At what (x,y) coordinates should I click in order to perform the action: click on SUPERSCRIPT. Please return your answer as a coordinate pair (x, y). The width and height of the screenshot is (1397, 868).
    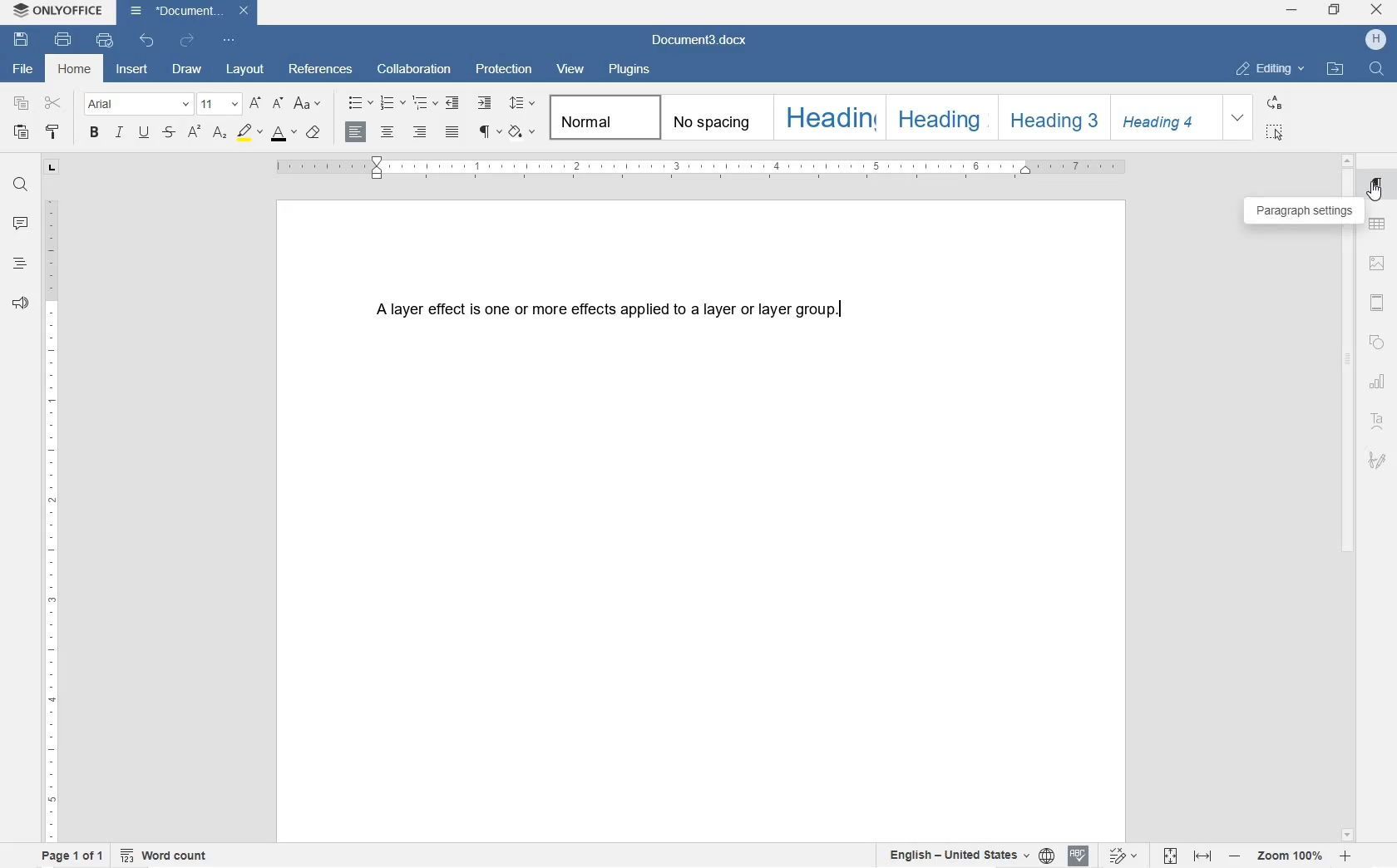
    Looking at the image, I should click on (193, 132).